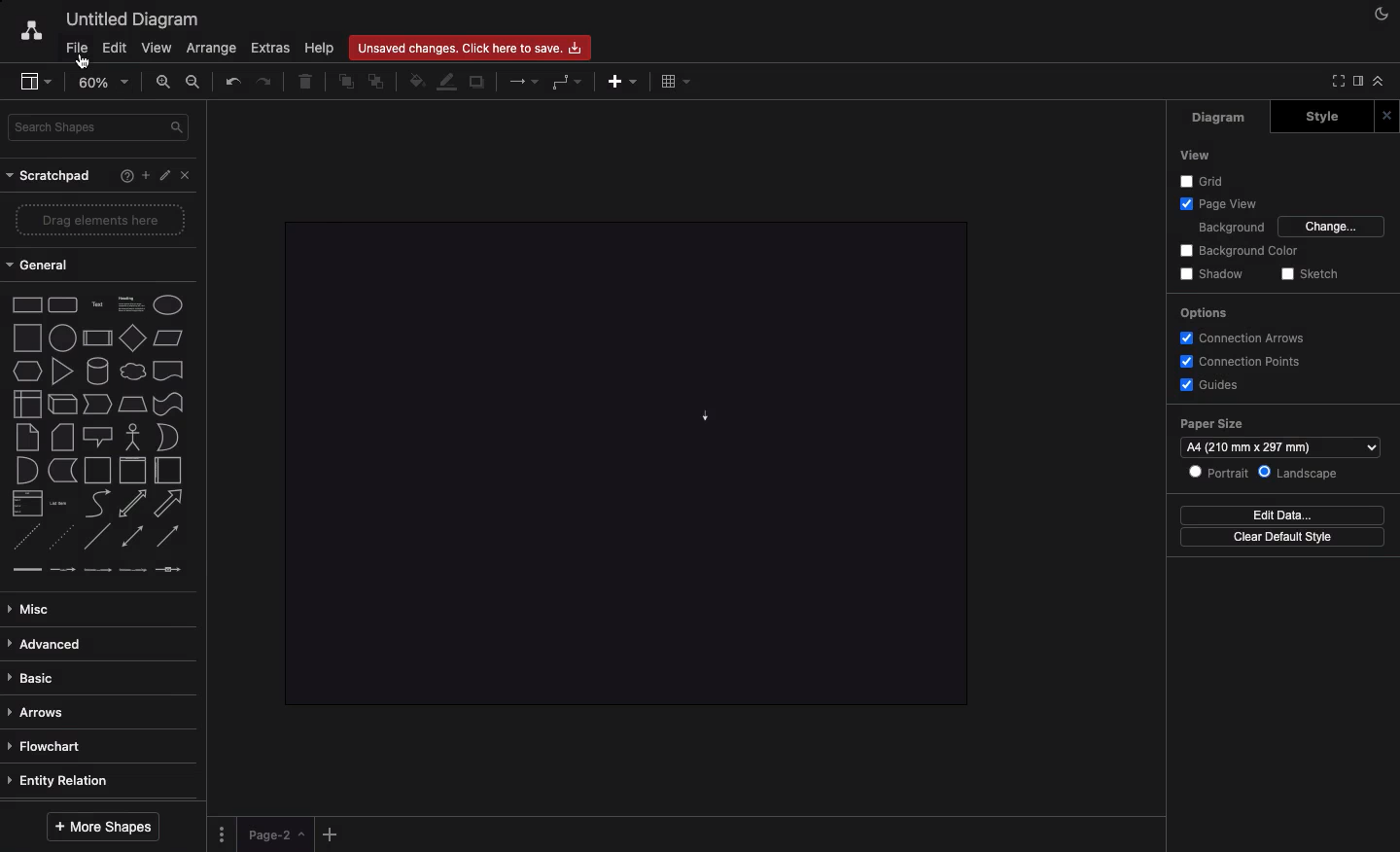  Describe the element at coordinates (525, 80) in the screenshot. I see `Arrows` at that location.